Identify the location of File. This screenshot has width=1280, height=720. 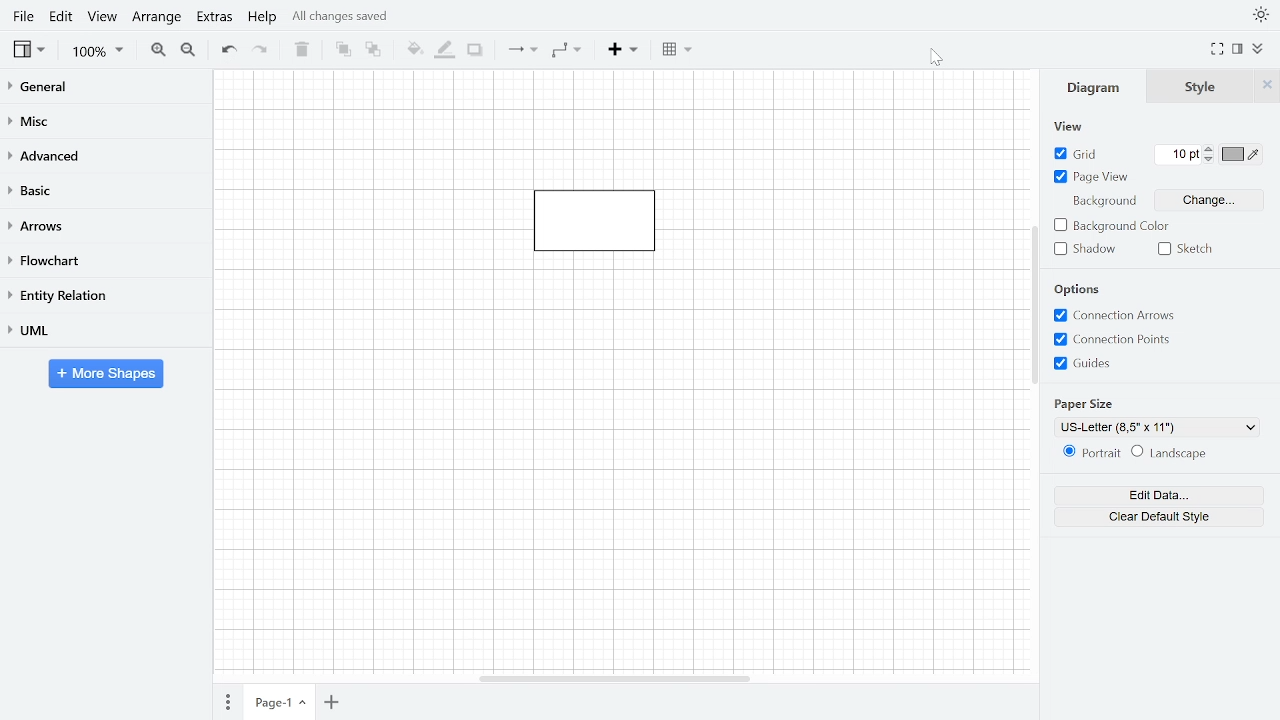
(23, 17).